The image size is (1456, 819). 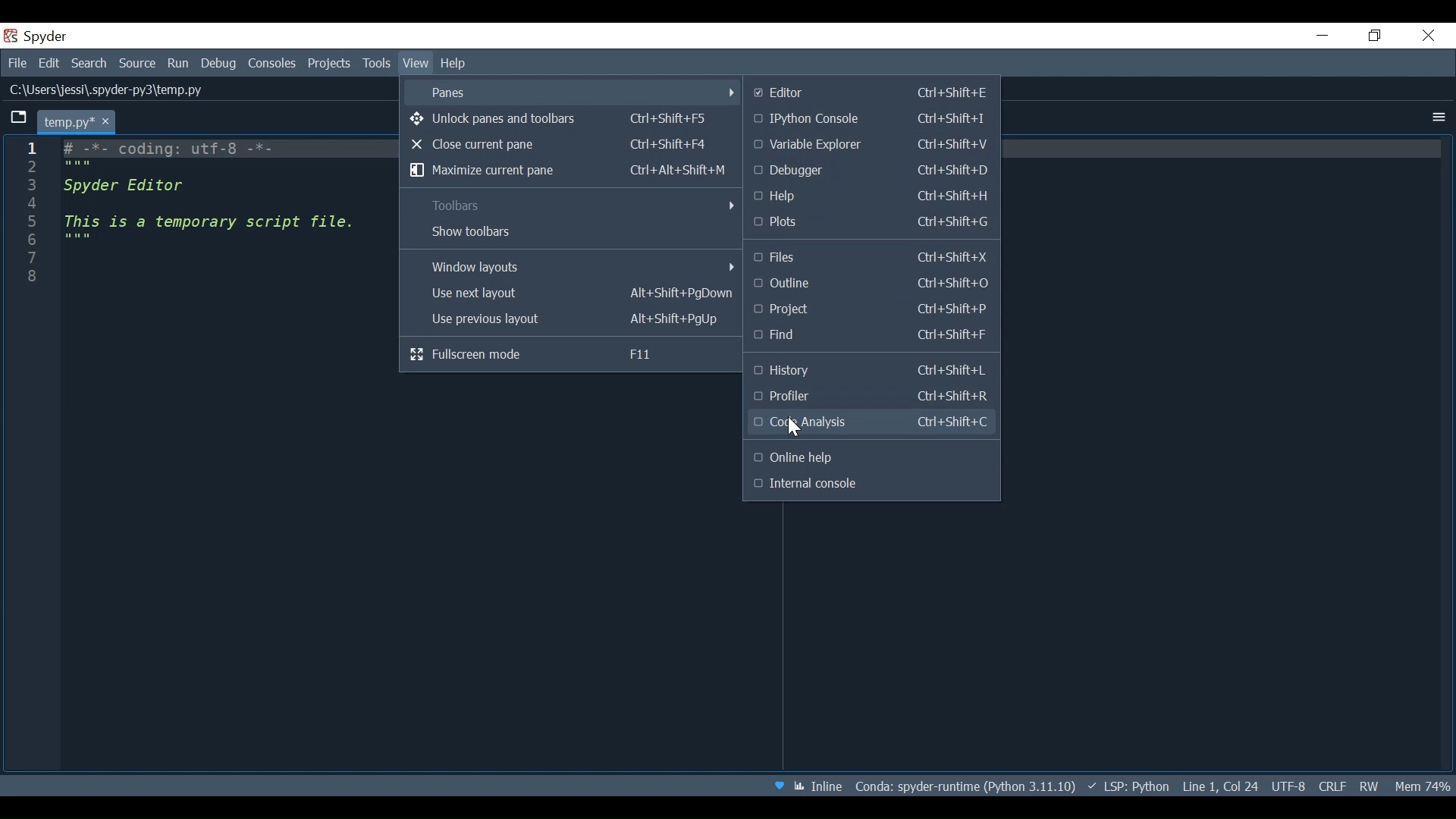 What do you see at coordinates (218, 63) in the screenshot?
I see `Debug` at bounding box center [218, 63].